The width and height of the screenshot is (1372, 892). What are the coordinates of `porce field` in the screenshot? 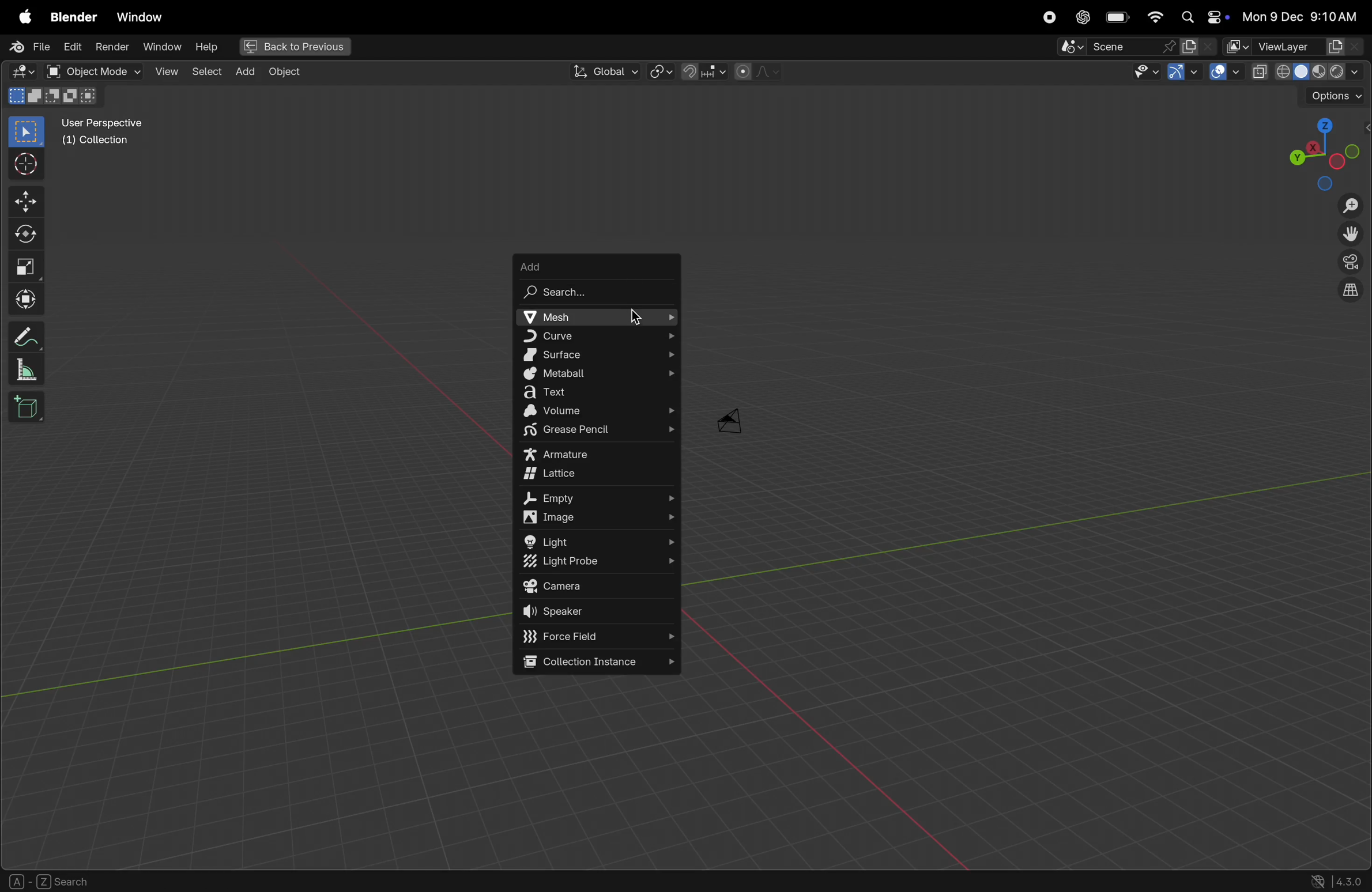 It's located at (600, 637).